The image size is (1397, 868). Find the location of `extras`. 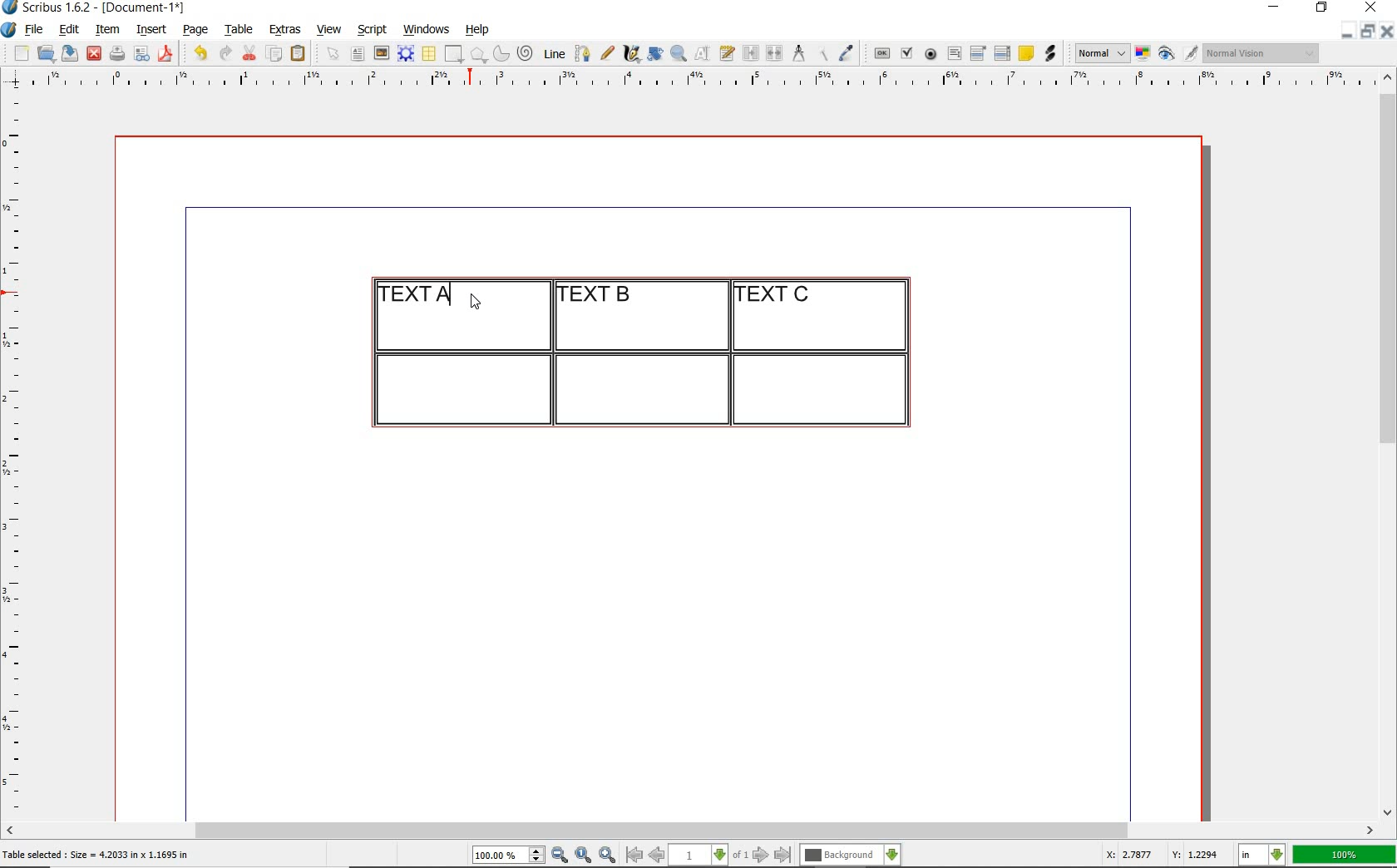

extras is located at coordinates (285, 31).